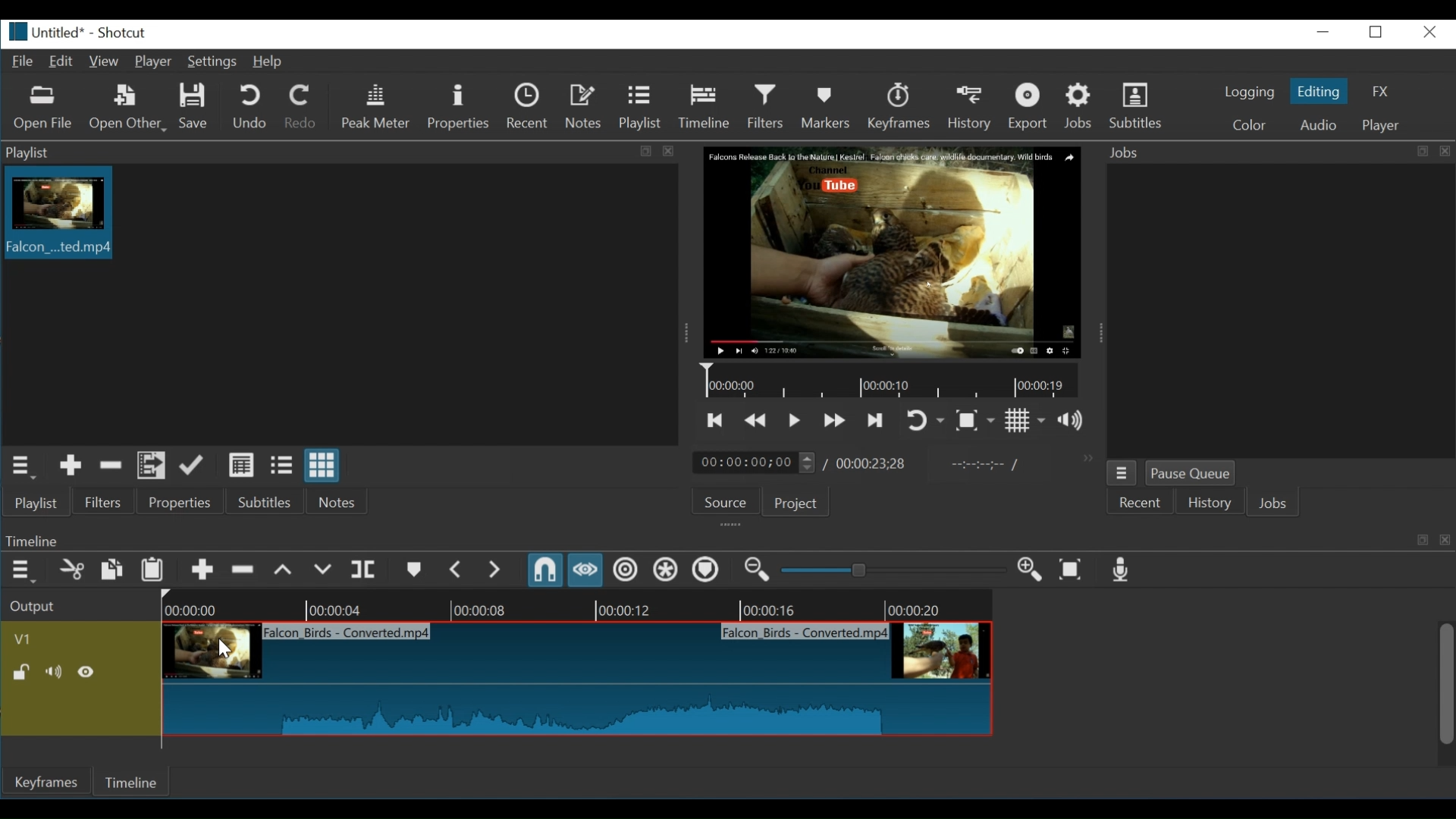 The width and height of the screenshot is (1456, 819). I want to click on play quickly backwards, so click(753, 422).